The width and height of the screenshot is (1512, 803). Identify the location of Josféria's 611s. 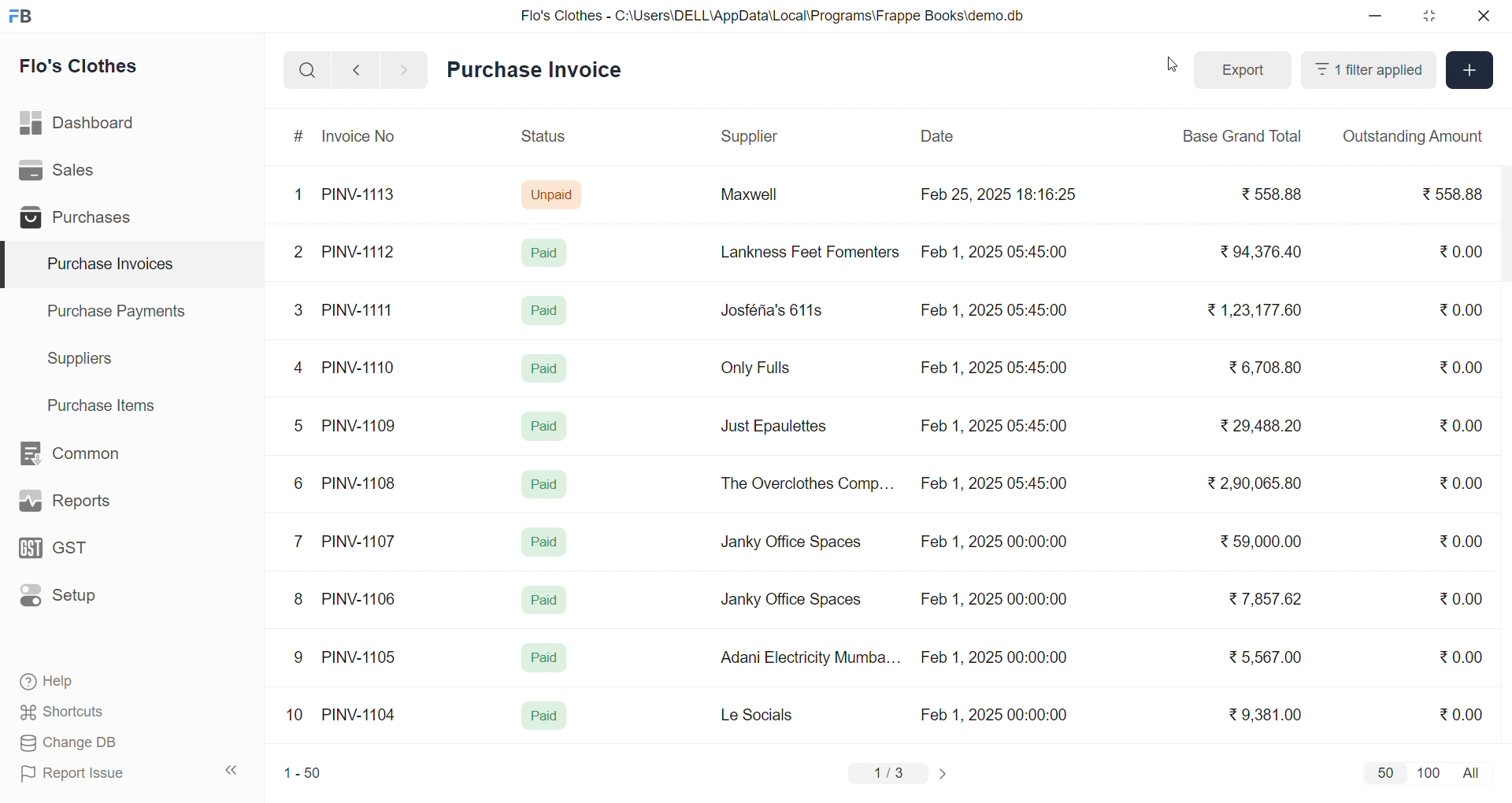
(769, 308).